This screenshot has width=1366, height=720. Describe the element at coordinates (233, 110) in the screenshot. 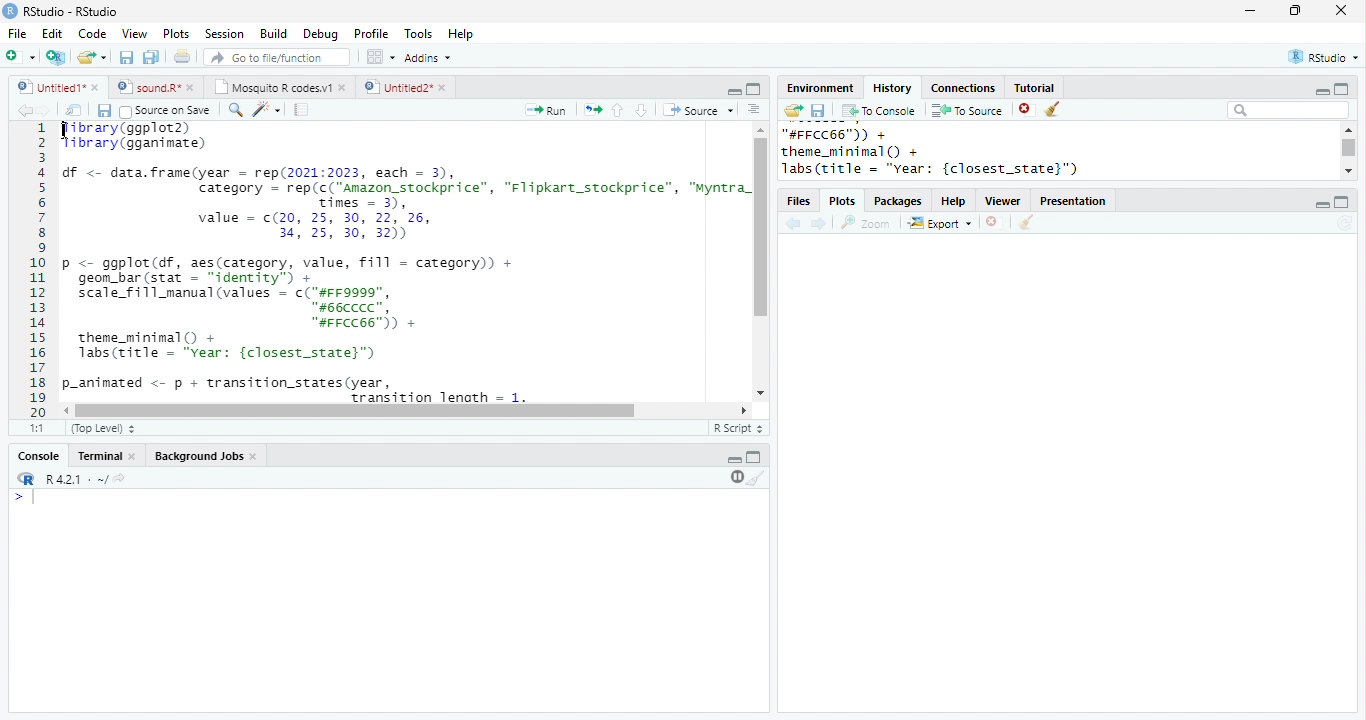

I see `search` at that location.